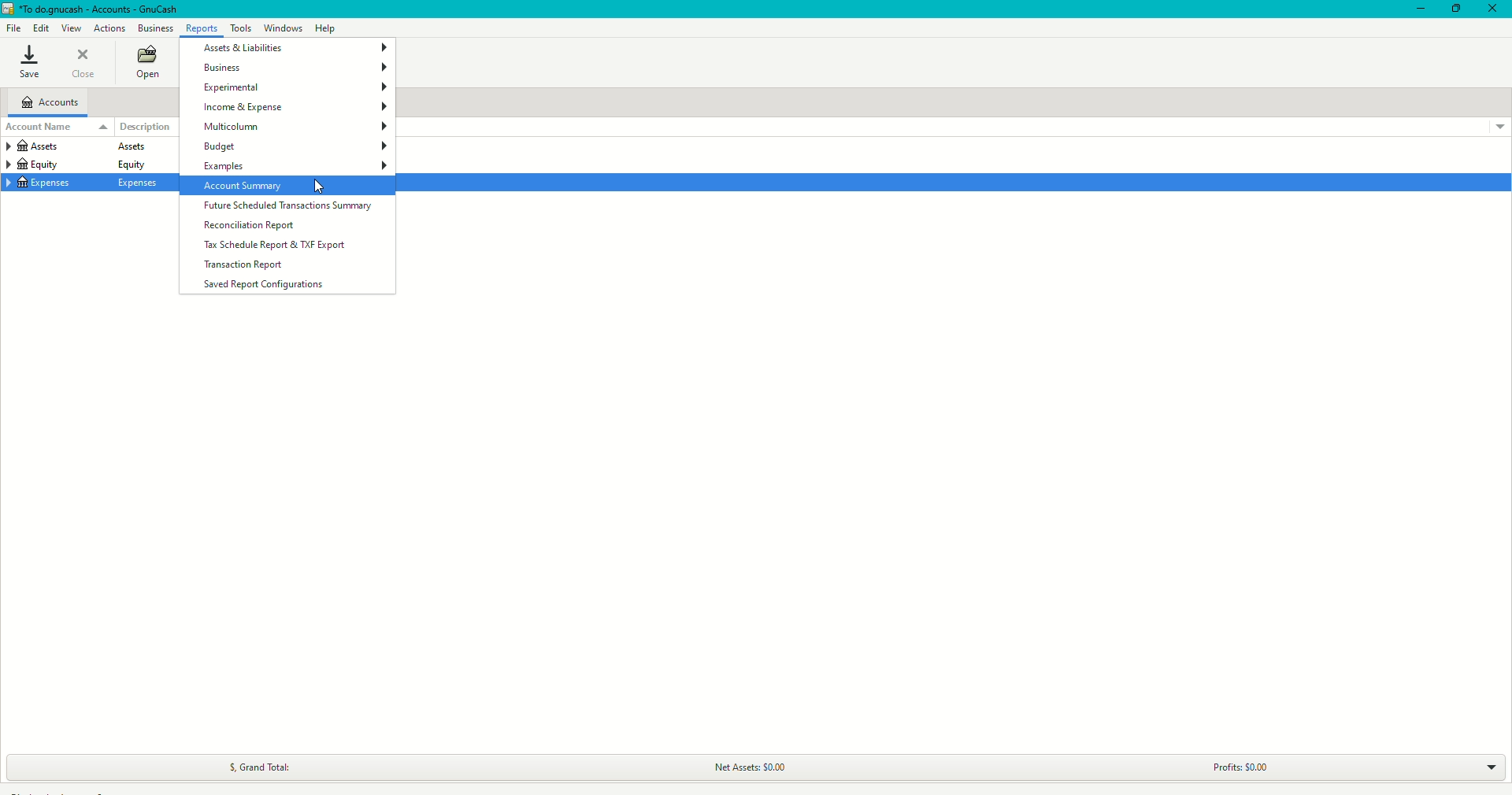 The image size is (1512, 795). I want to click on Close, so click(83, 65).